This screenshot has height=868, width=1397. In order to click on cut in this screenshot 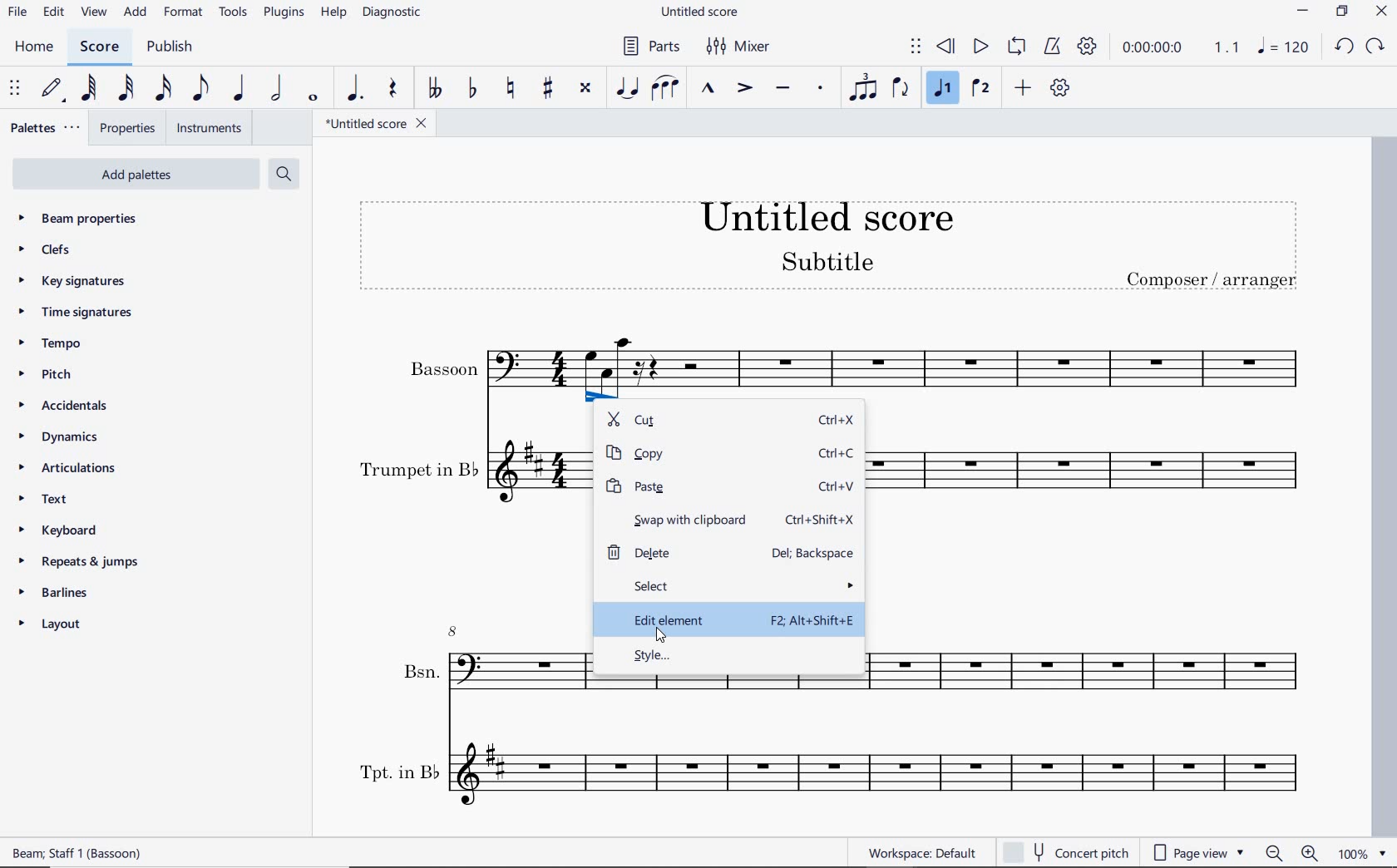, I will do `click(730, 419)`.